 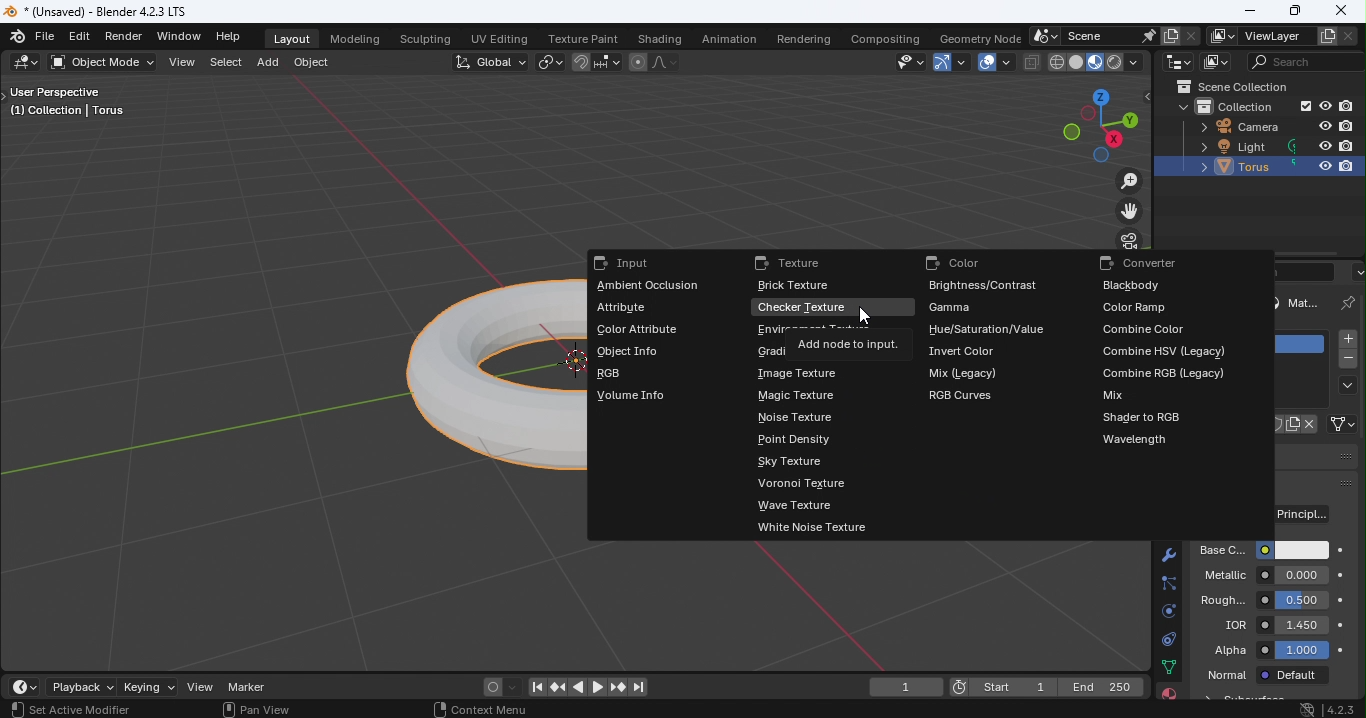 What do you see at coordinates (801, 485) in the screenshot?
I see `Voronoi texture` at bounding box center [801, 485].